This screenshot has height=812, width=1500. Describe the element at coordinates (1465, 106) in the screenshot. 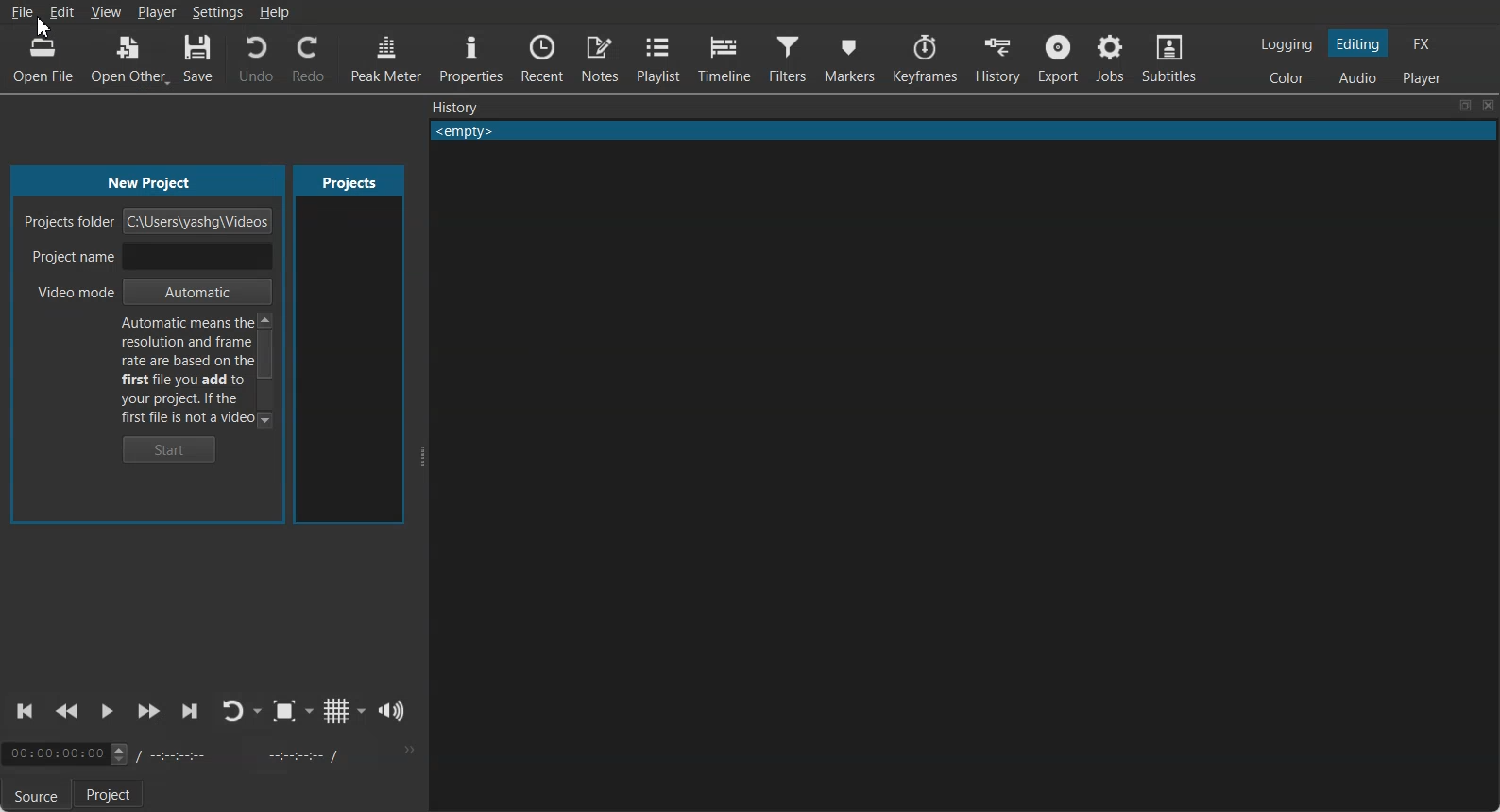

I see `Maximize` at that location.